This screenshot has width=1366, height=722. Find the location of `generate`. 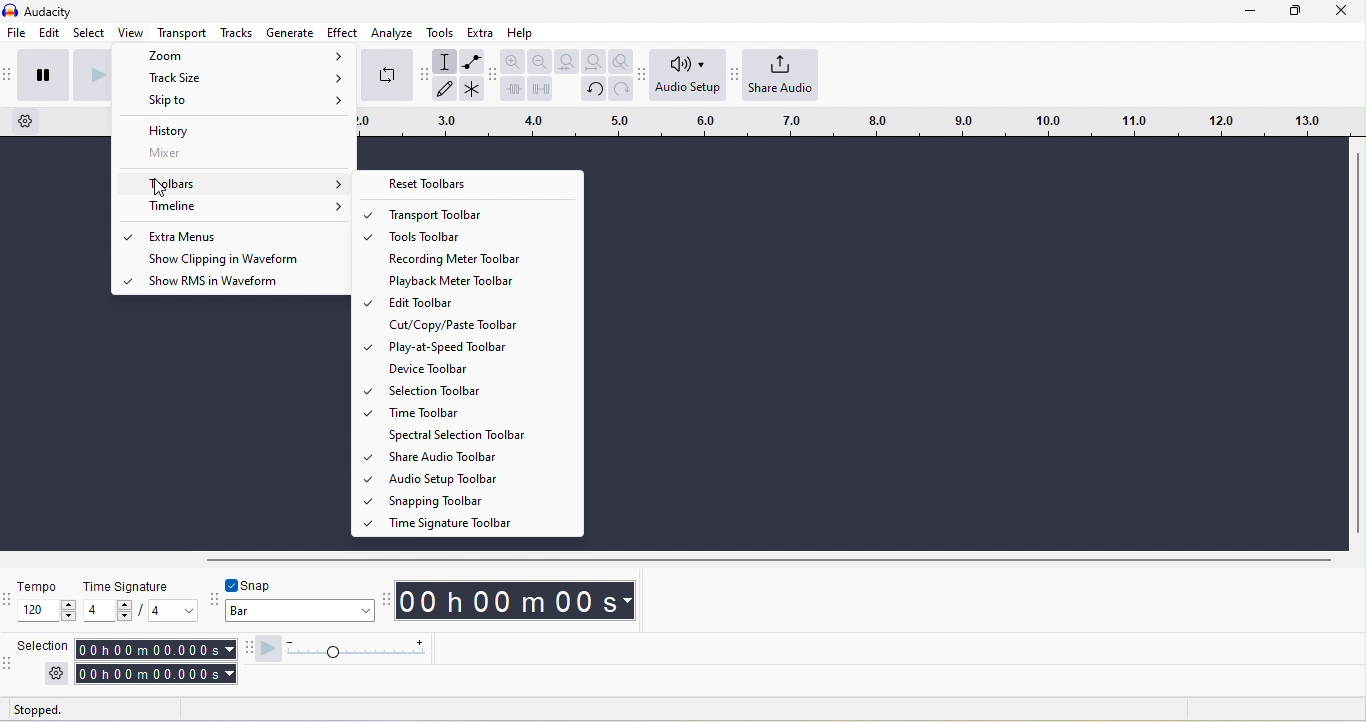

generate is located at coordinates (290, 32).